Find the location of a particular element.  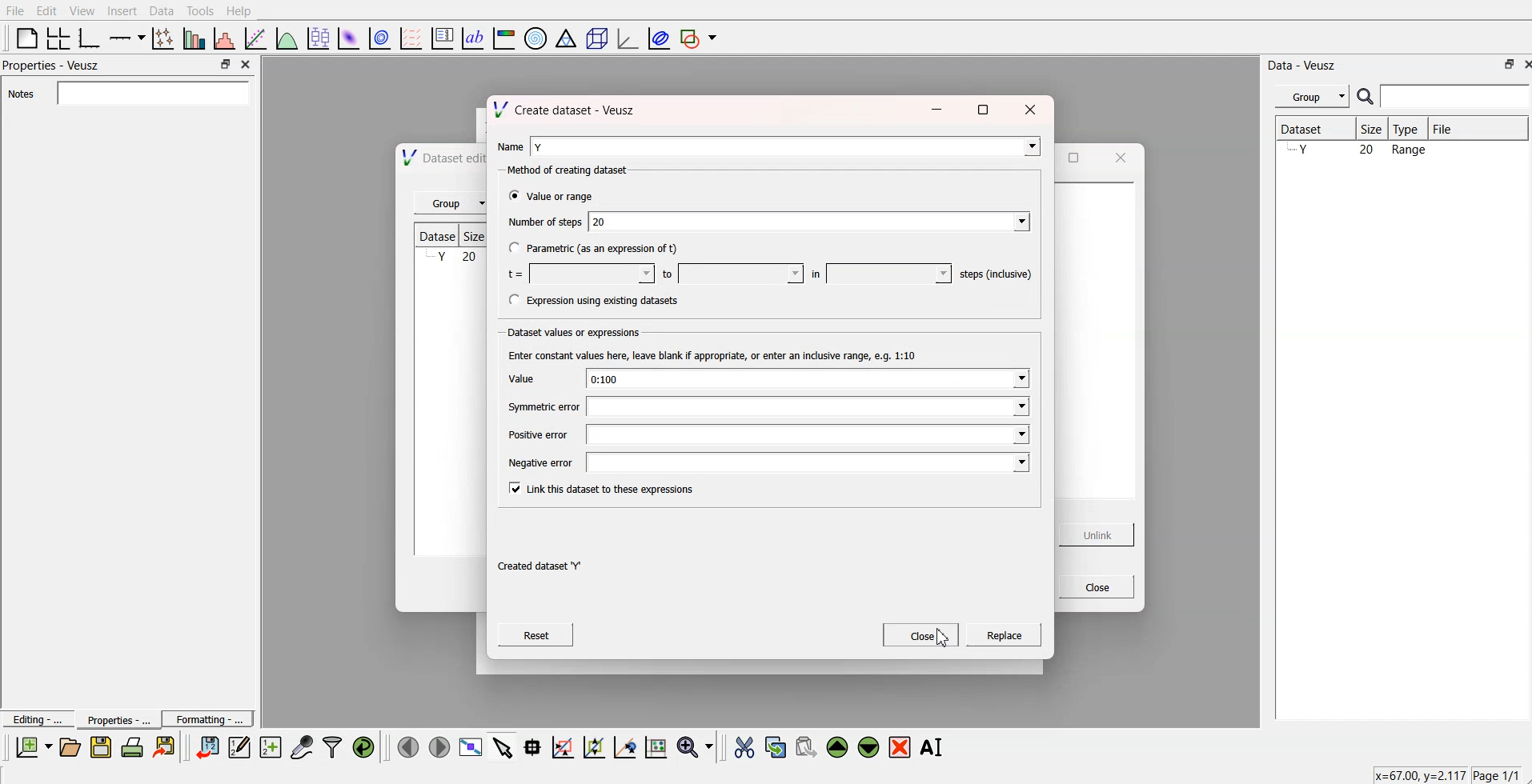

~~ Group is located at coordinates (451, 204).